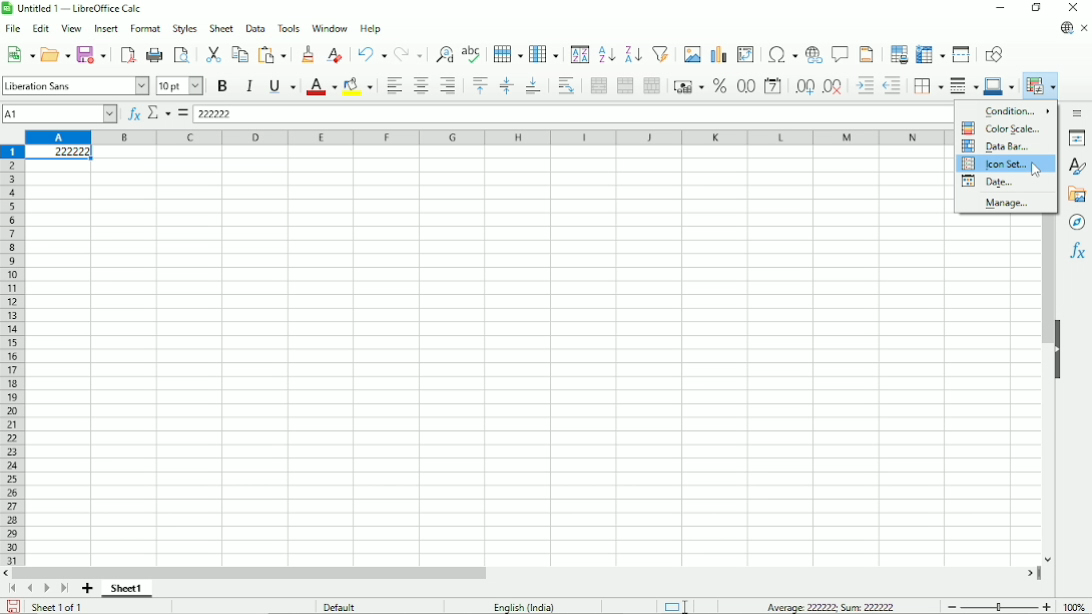 The image size is (1092, 614). What do you see at coordinates (898, 54) in the screenshot?
I see `Define print area` at bounding box center [898, 54].